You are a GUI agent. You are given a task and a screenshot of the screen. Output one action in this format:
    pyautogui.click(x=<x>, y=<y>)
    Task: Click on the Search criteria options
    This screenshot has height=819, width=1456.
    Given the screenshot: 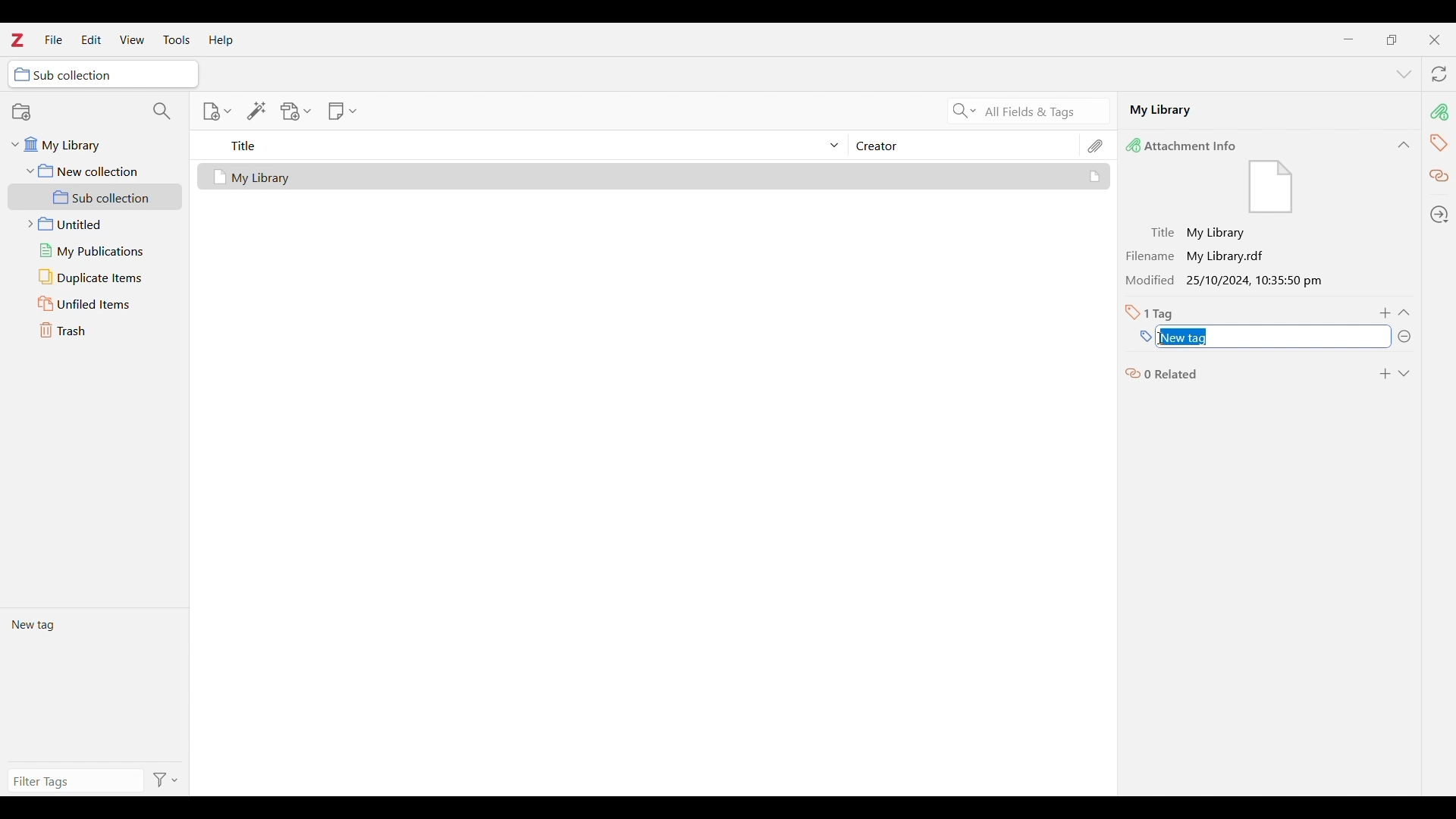 What is the action you would take?
    pyautogui.click(x=965, y=110)
    